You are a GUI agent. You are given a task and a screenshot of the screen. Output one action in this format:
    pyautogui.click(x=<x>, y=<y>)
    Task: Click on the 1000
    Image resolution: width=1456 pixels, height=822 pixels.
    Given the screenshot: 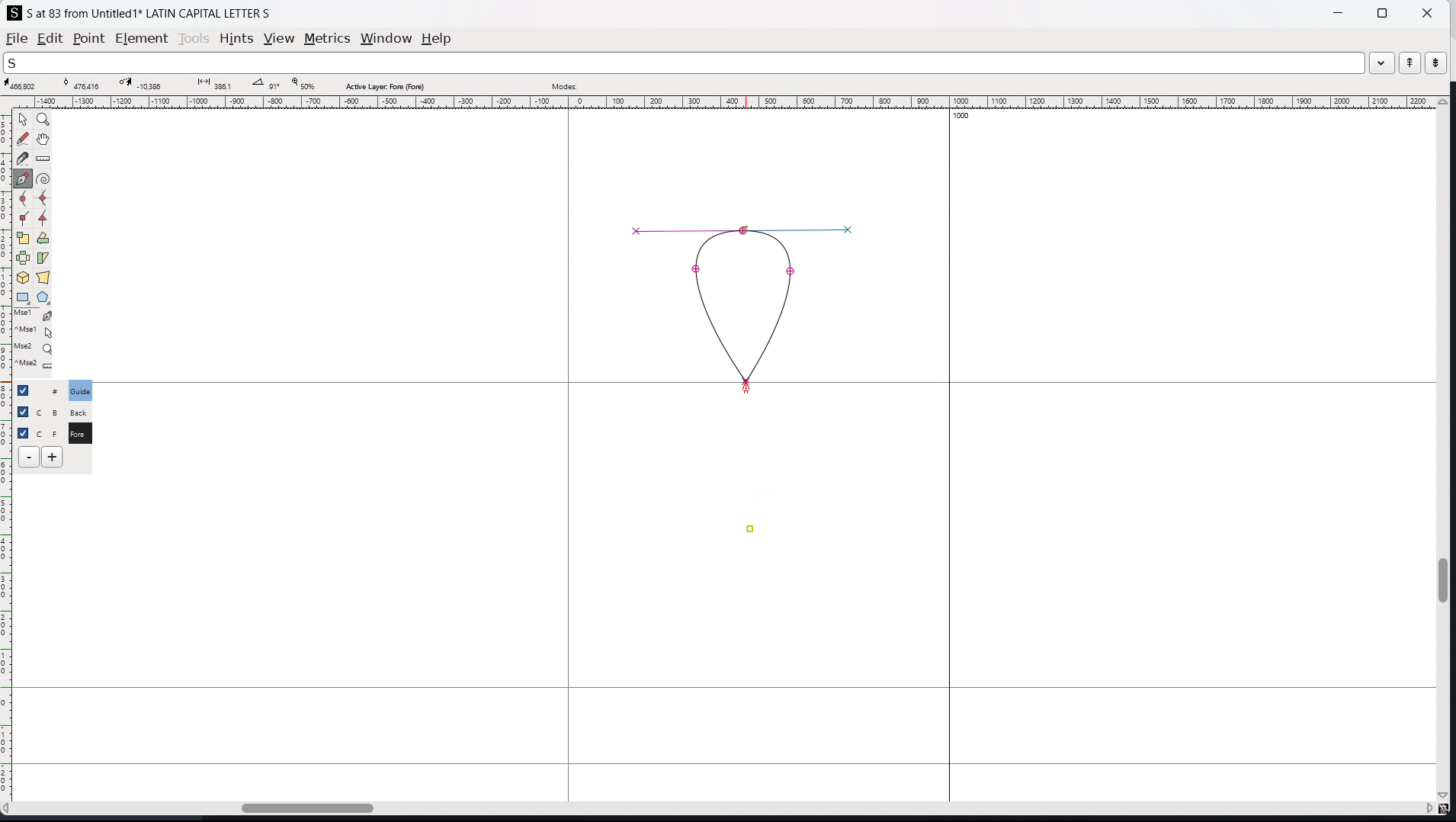 What is the action you would take?
    pyautogui.click(x=966, y=117)
    